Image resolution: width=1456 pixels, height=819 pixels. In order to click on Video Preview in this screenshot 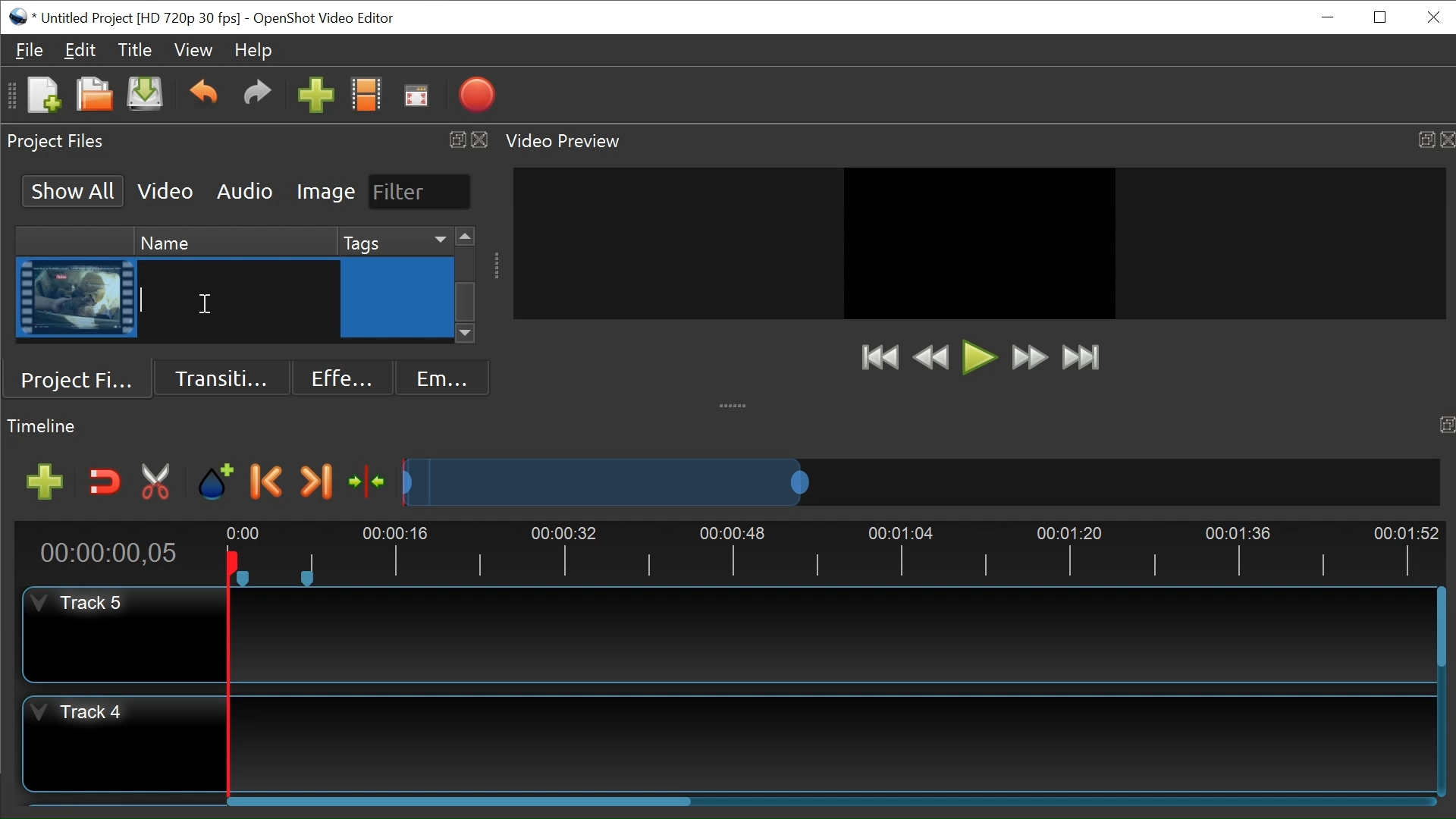, I will do `click(976, 141)`.